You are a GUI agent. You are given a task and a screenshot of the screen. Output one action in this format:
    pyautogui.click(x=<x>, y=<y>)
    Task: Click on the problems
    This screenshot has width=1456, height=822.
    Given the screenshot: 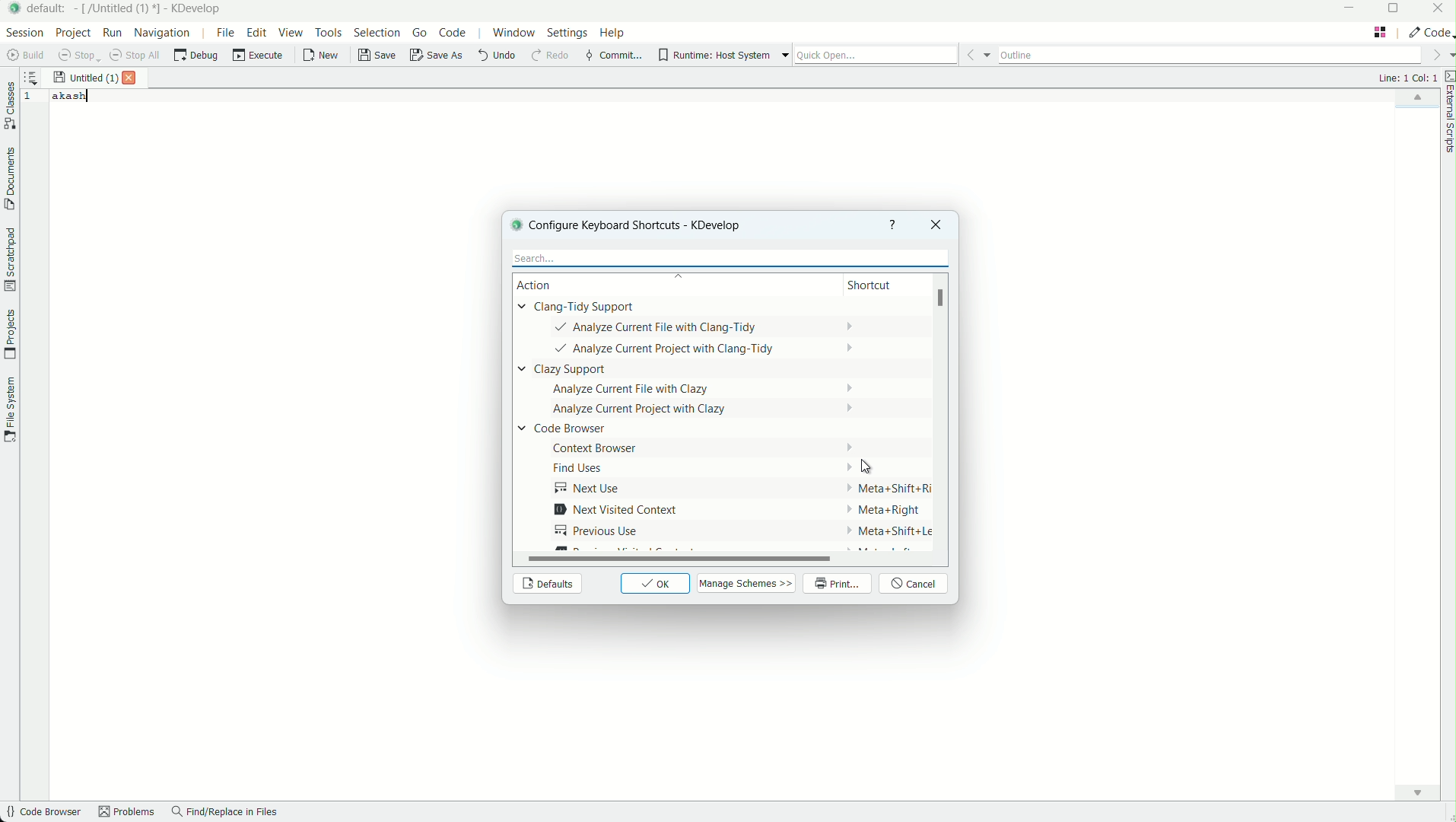 What is the action you would take?
    pyautogui.click(x=127, y=813)
    